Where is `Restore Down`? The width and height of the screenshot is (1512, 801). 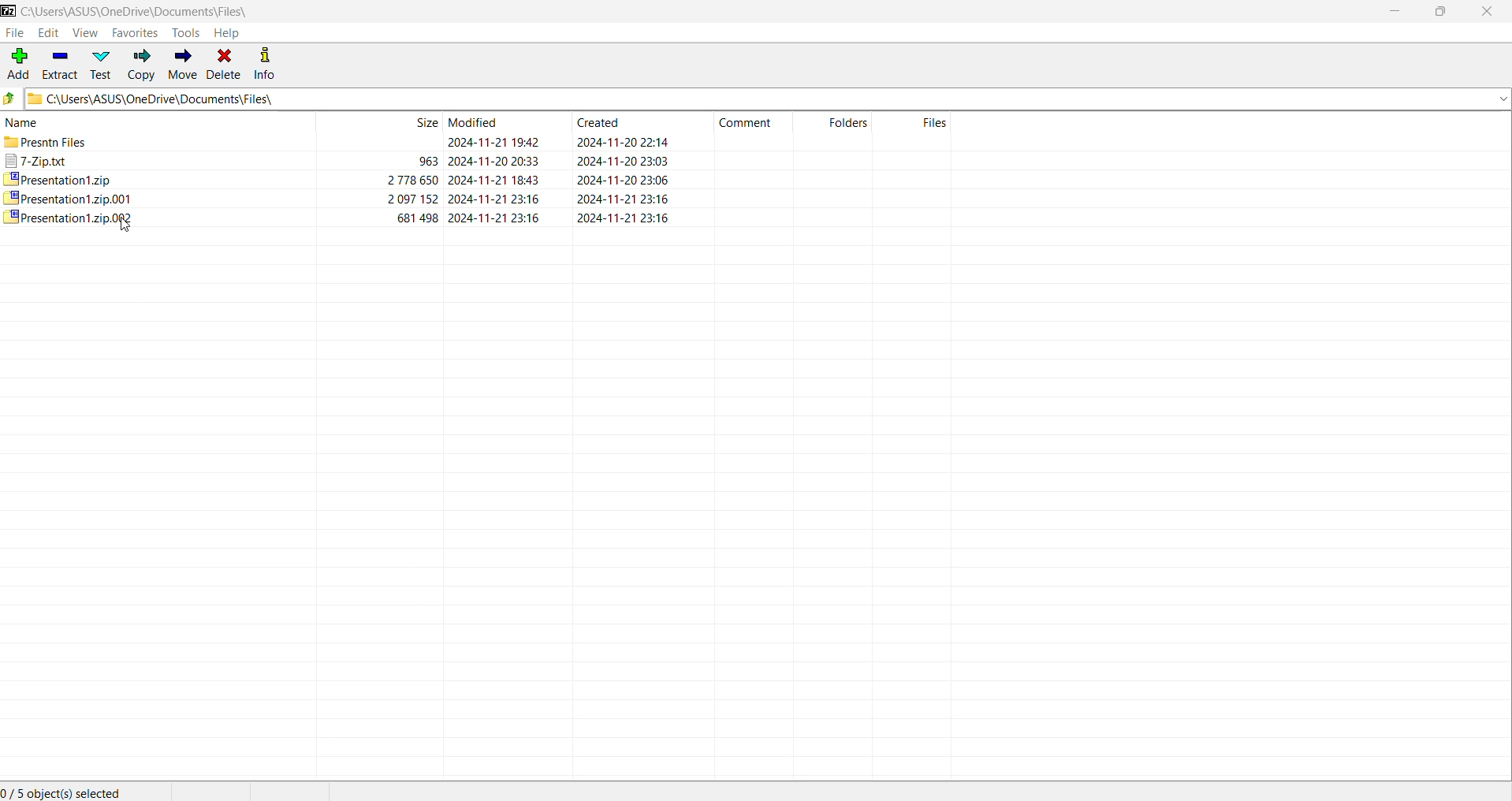 Restore Down is located at coordinates (1440, 11).